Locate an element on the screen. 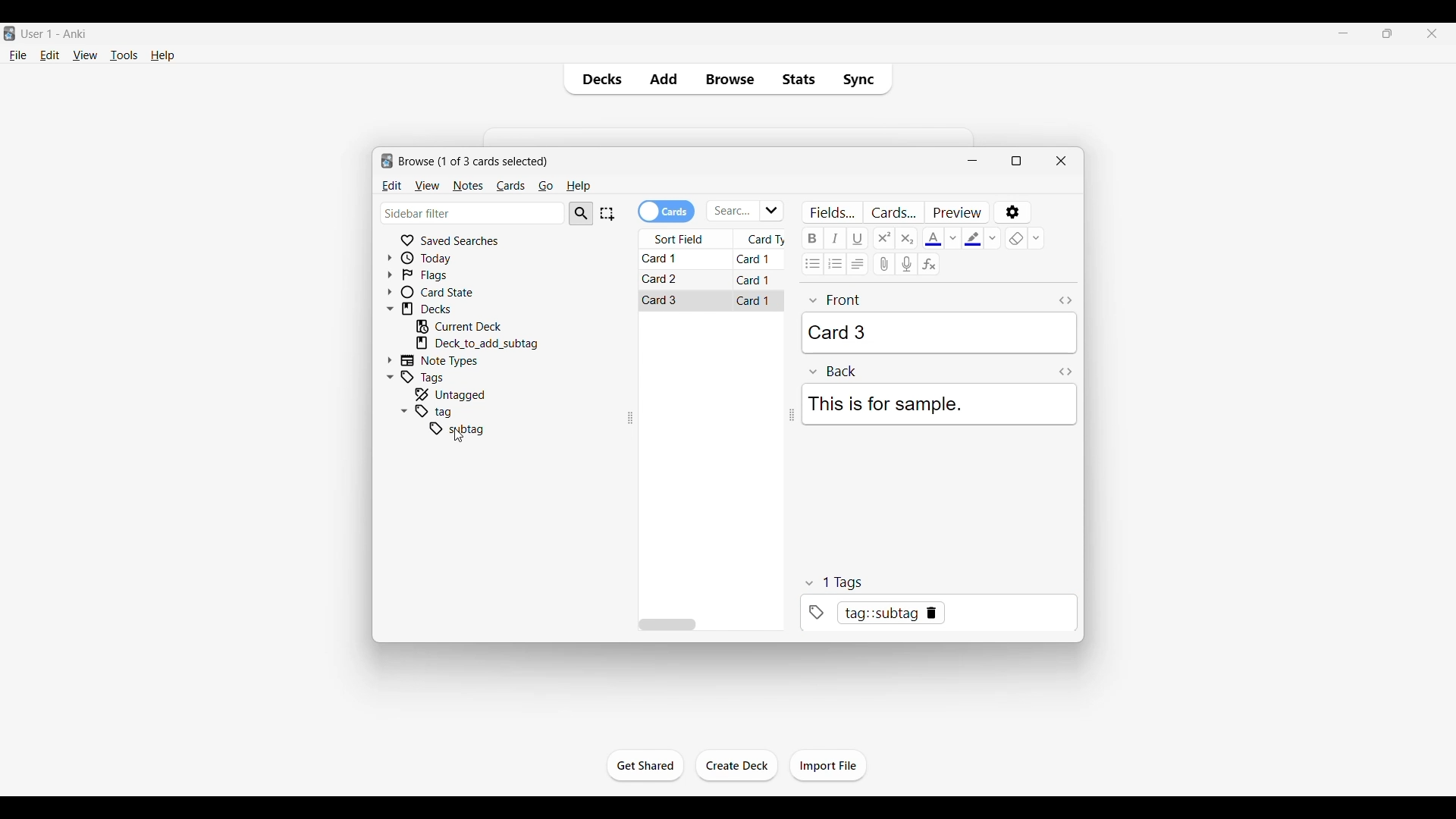 The image size is (1456, 819). Click to expand flags is located at coordinates (390, 275).